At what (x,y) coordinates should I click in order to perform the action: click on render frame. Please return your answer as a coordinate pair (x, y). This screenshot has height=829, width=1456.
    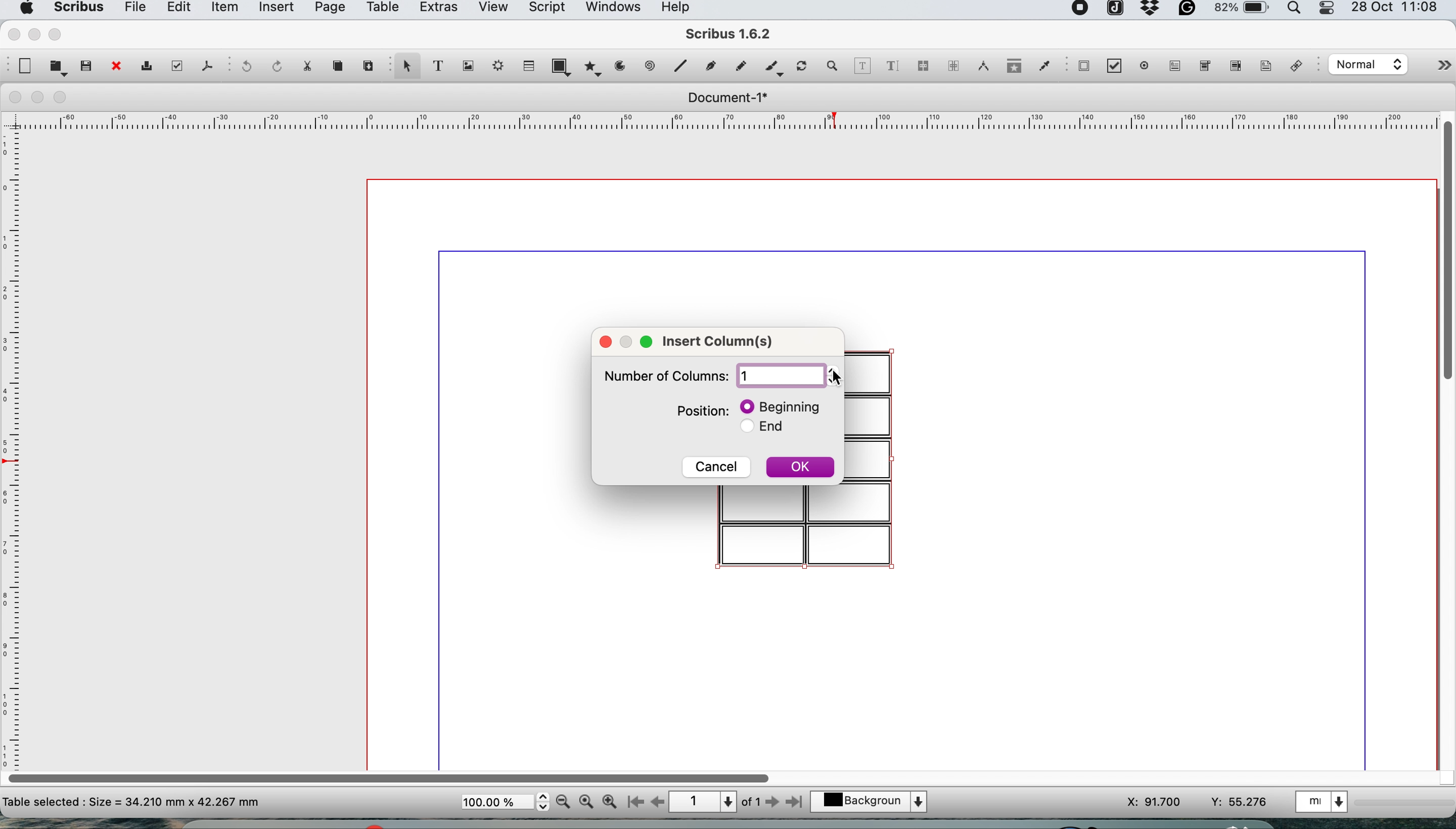
    Looking at the image, I should click on (495, 65).